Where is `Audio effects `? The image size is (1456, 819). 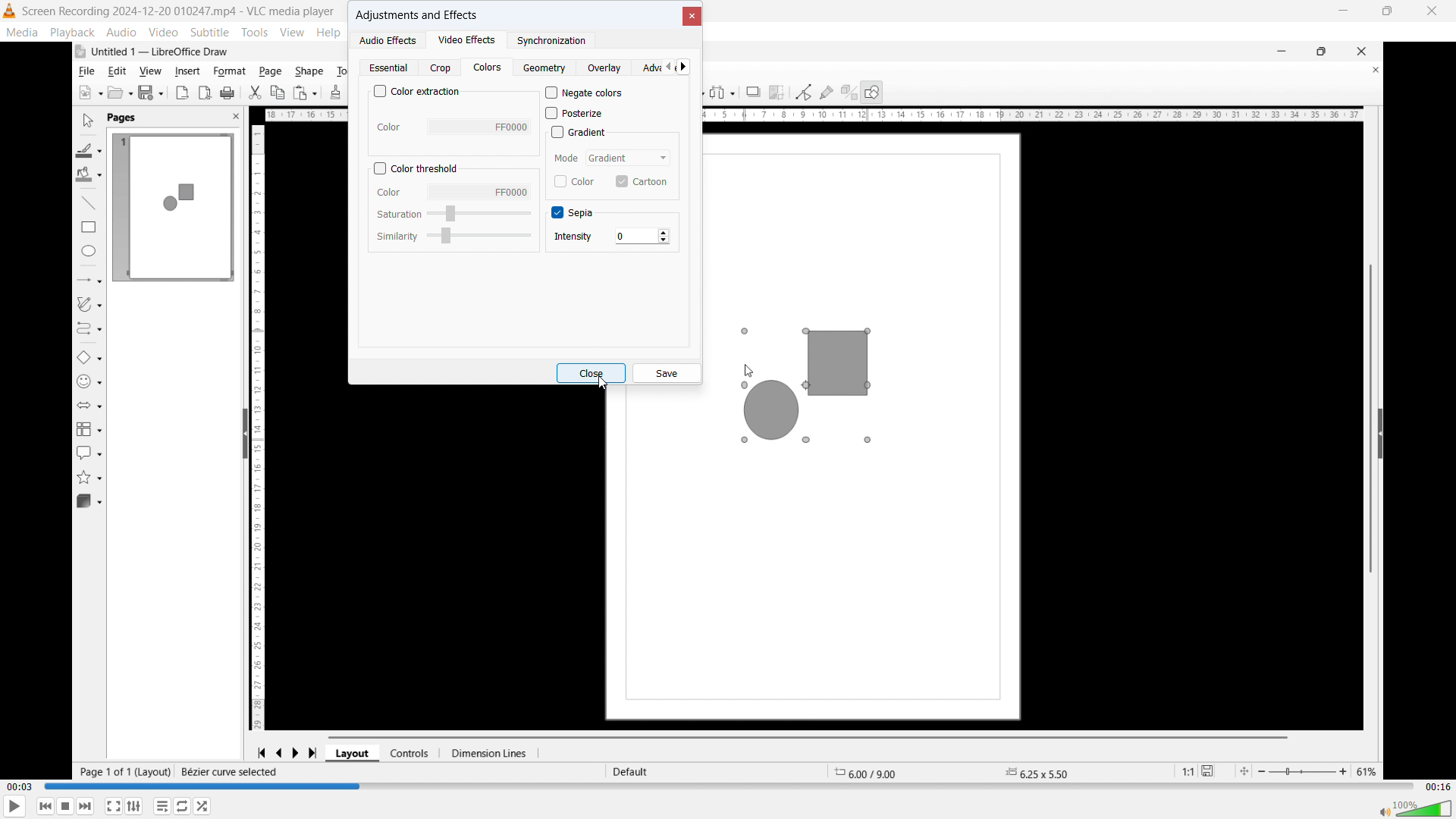 Audio effects  is located at coordinates (388, 40).